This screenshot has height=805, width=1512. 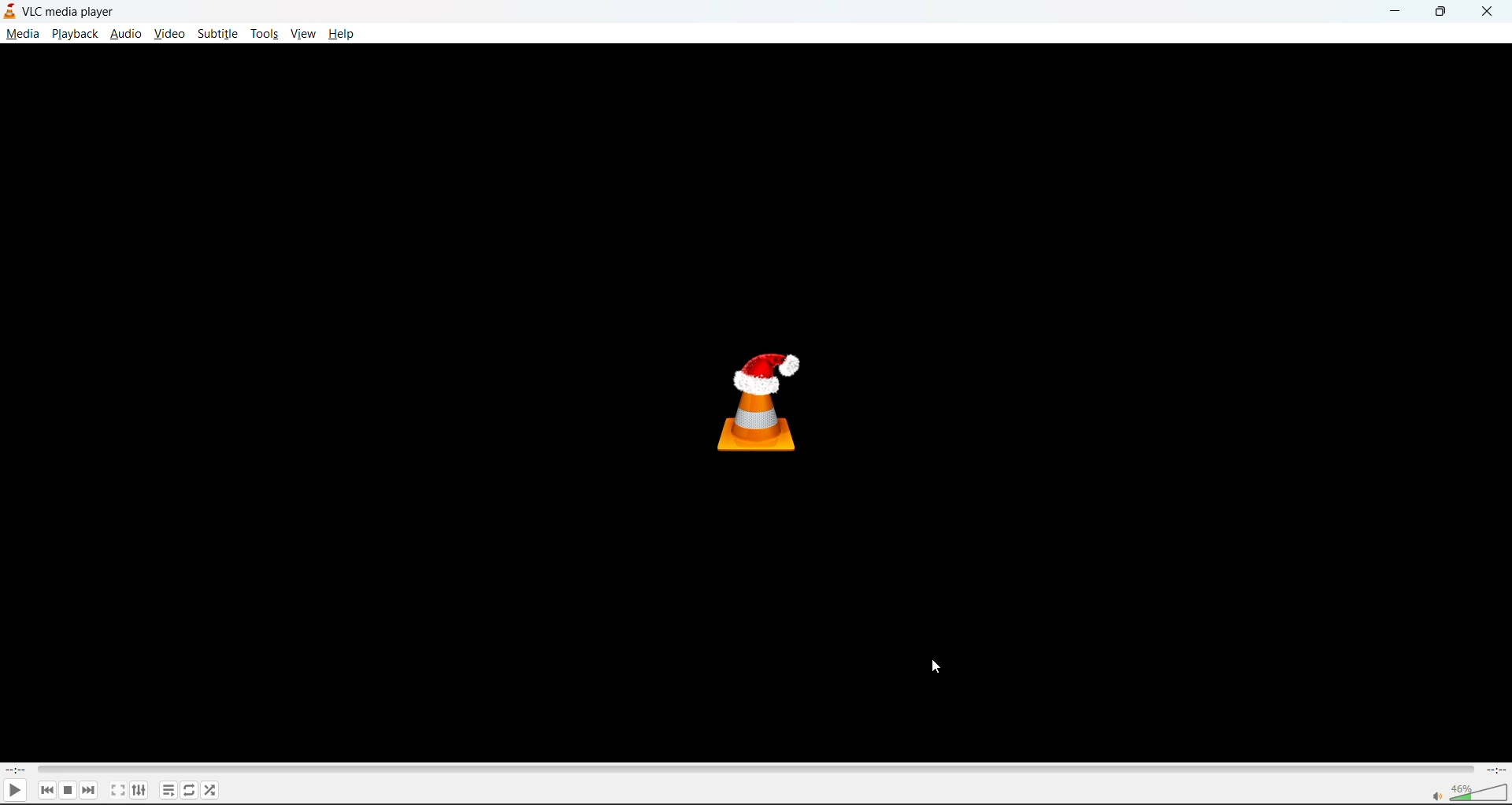 I want to click on maximize, so click(x=1441, y=10).